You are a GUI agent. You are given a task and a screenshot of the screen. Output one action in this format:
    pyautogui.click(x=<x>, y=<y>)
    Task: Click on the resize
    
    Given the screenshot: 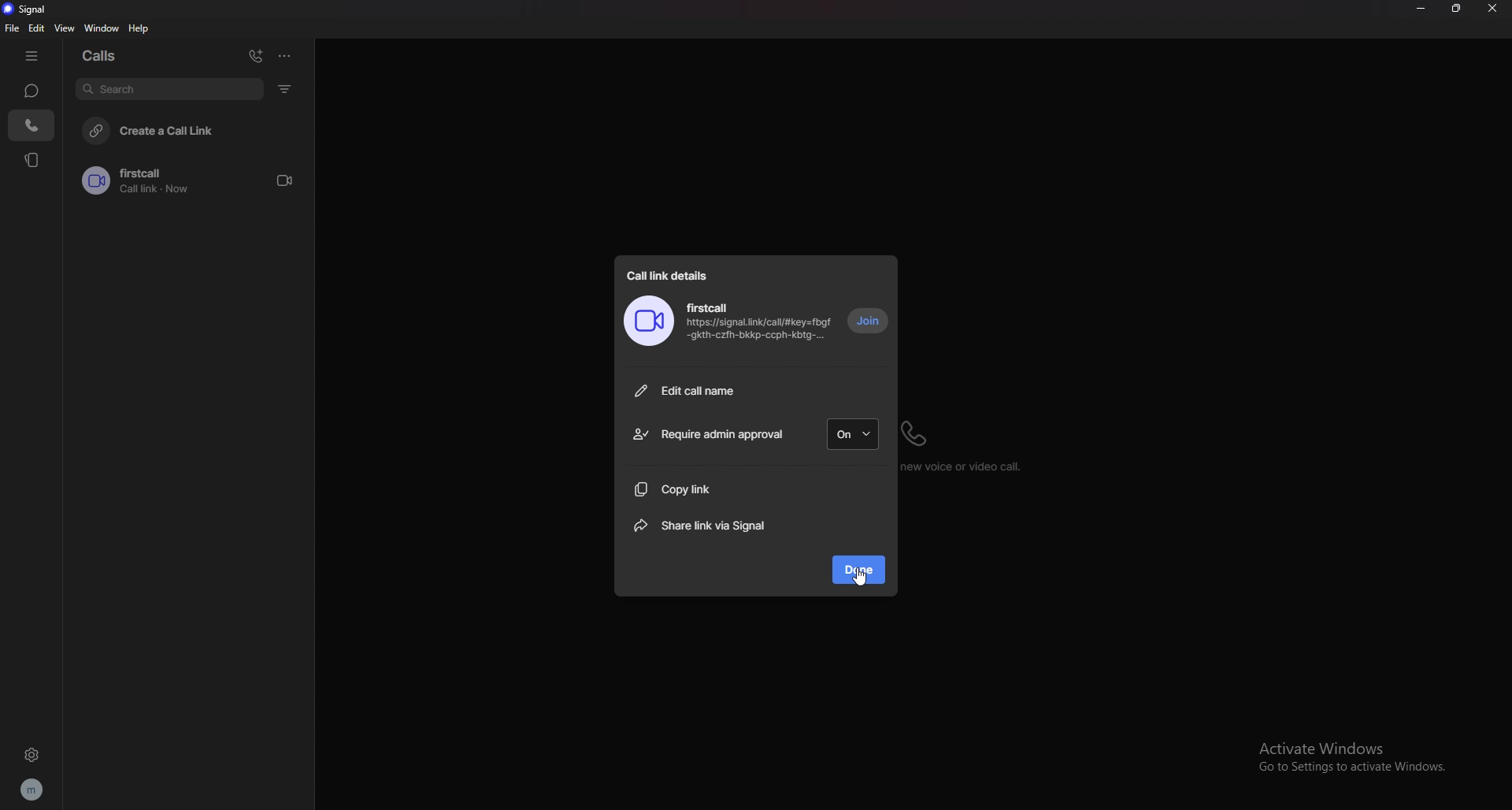 What is the action you would take?
    pyautogui.click(x=1456, y=9)
    